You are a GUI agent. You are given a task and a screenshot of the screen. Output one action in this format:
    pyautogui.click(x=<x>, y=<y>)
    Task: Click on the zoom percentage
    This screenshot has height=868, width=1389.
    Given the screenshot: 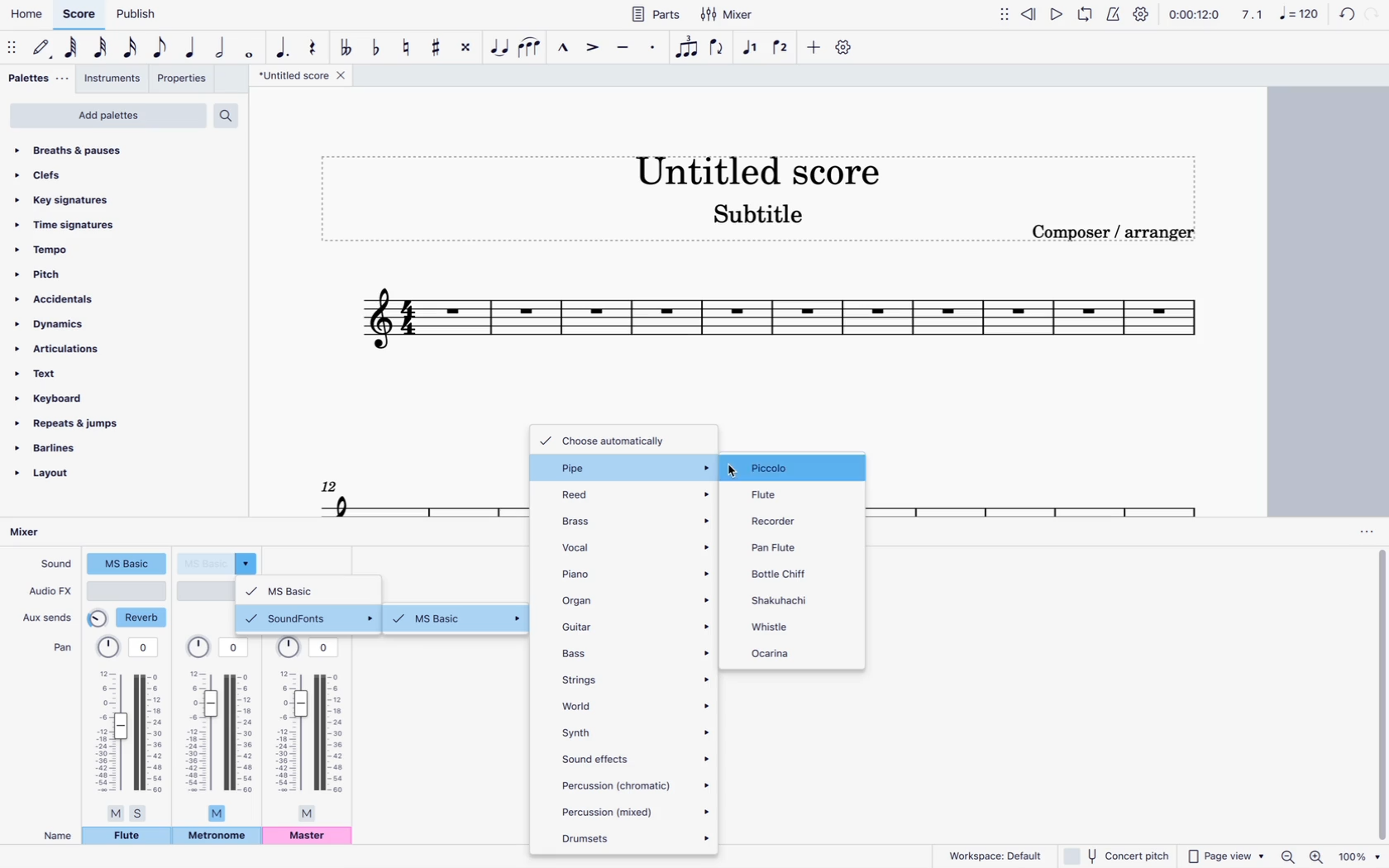 What is the action you would take?
    pyautogui.click(x=1360, y=856)
    